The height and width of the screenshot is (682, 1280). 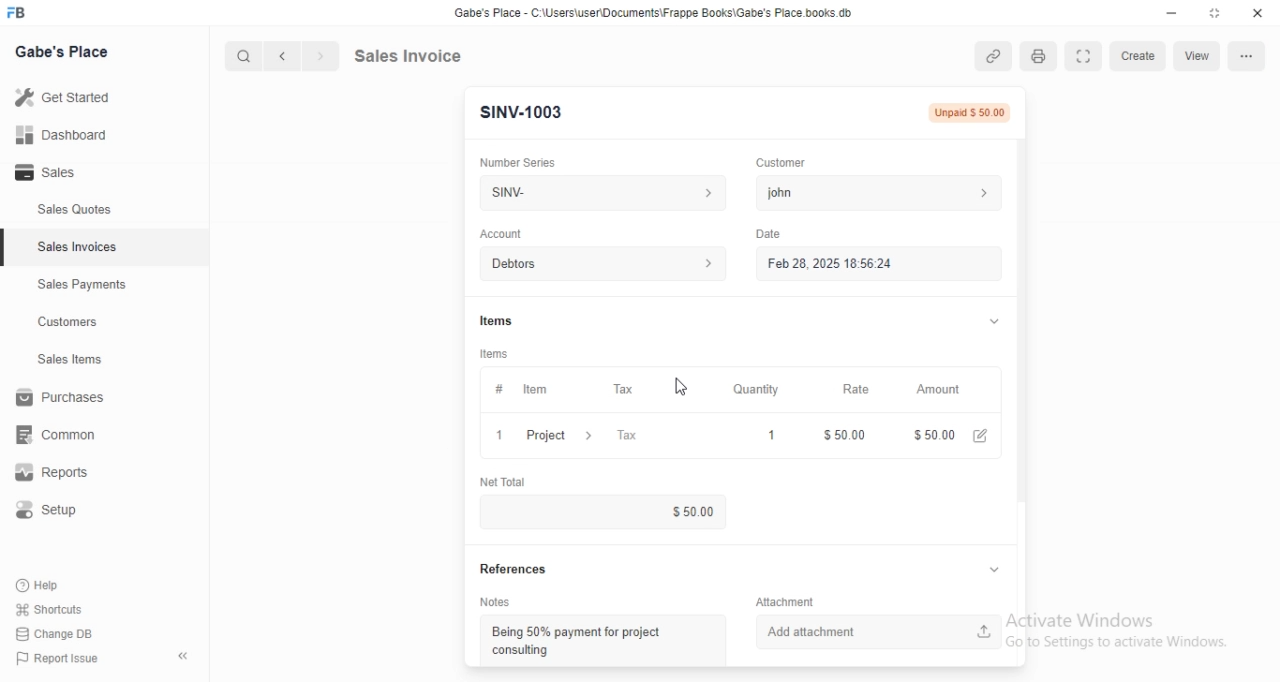 What do you see at coordinates (501, 233) in the screenshot?
I see `‘Account` at bounding box center [501, 233].